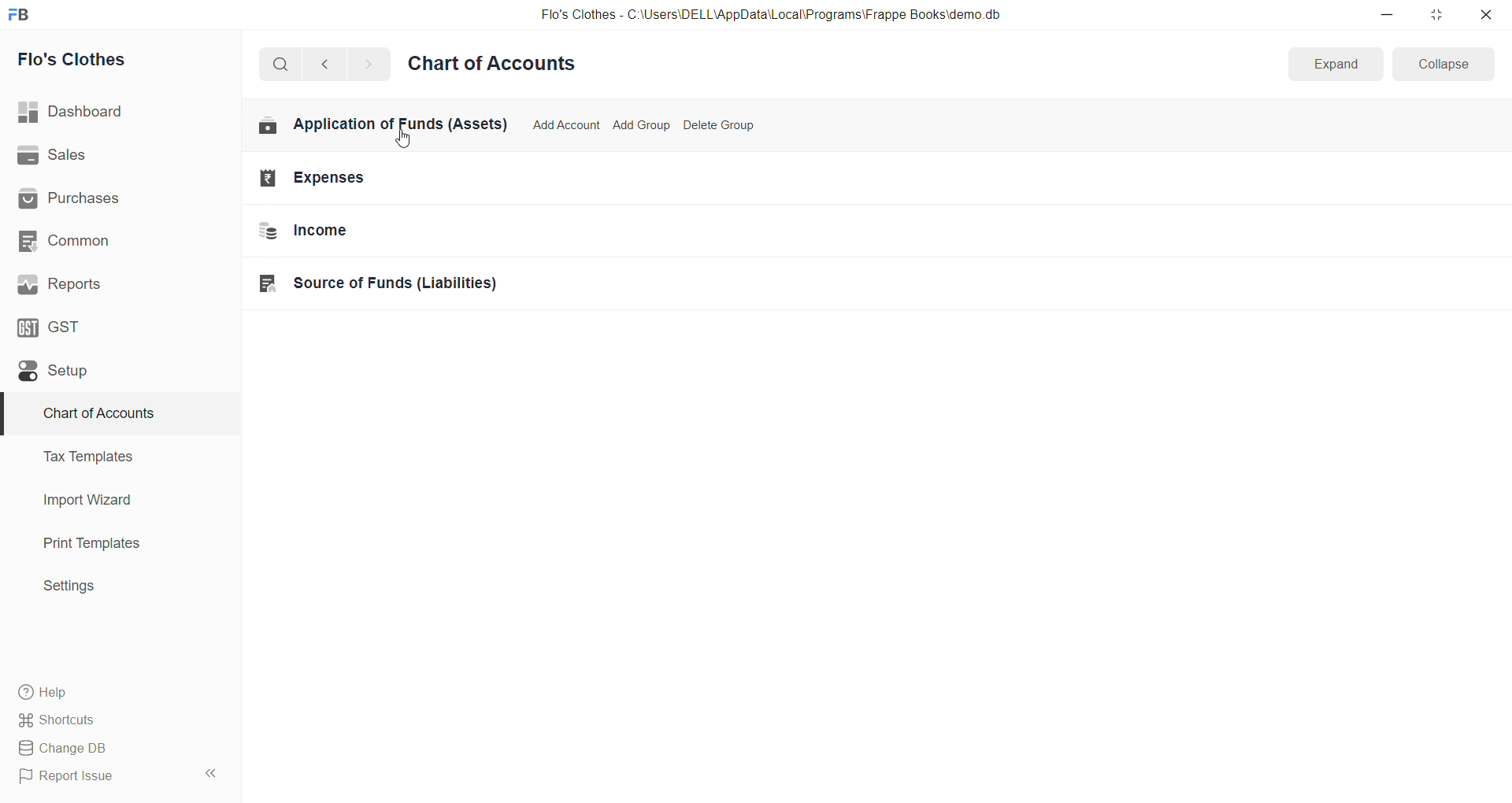  I want to click on Change DB, so click(113, 749).